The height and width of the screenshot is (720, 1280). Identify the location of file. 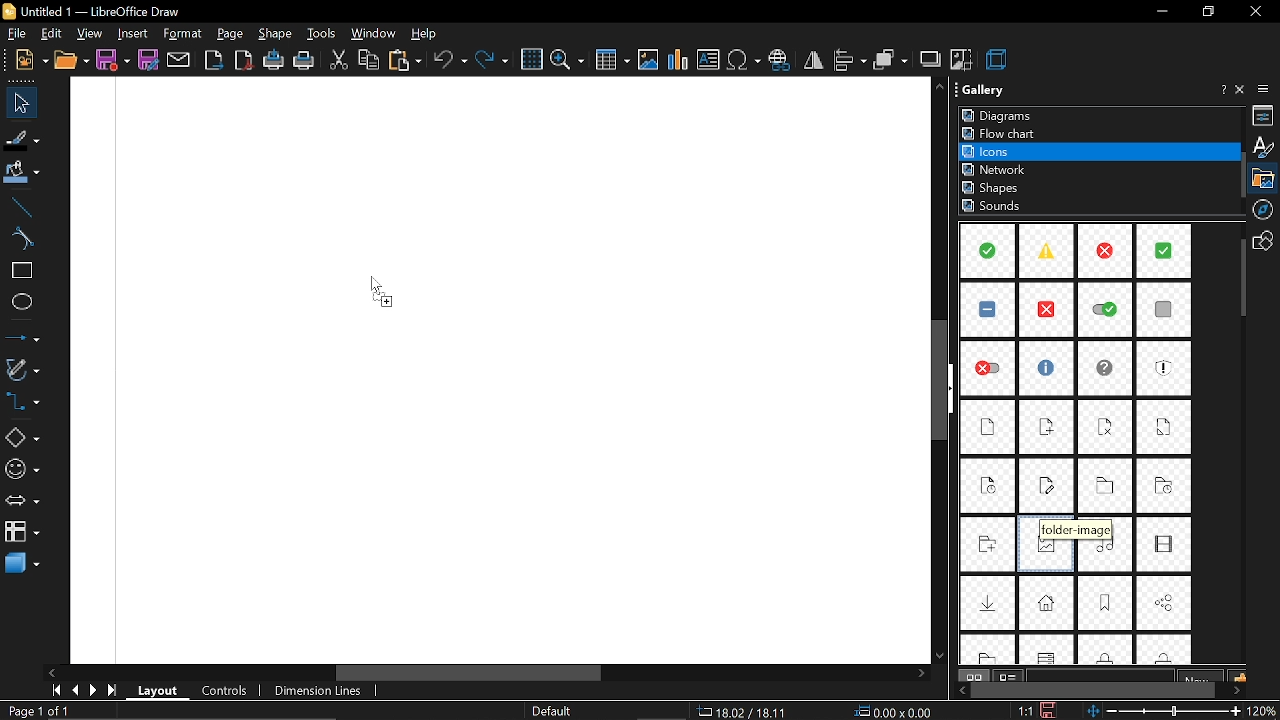
(16, 34).